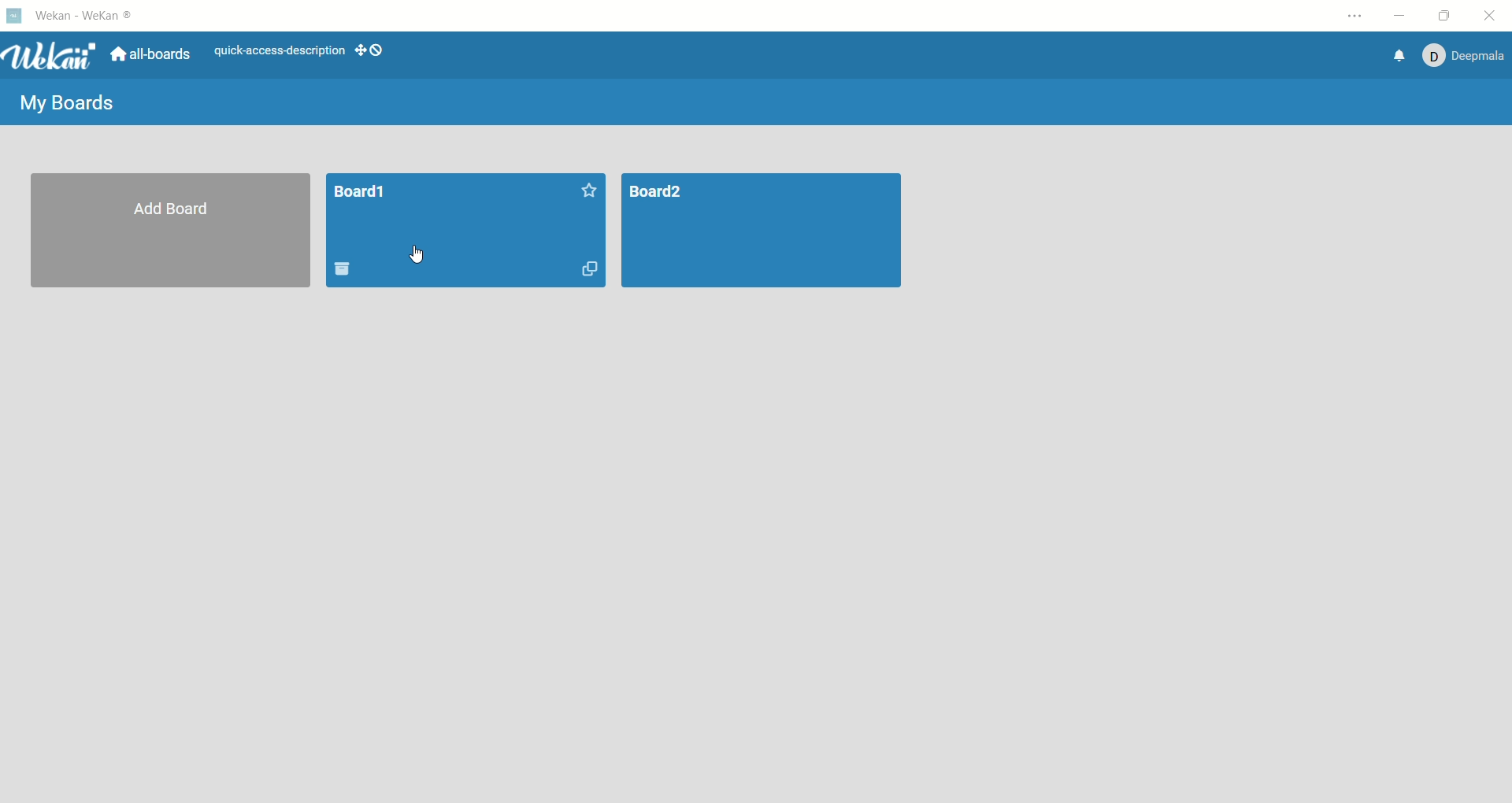 Image resolution: width=1512 pixels, height=803 pixels. What do you see at coordinates (147, 57) in the screenshot?
I see `all boards` at bounding box center [147, 57].